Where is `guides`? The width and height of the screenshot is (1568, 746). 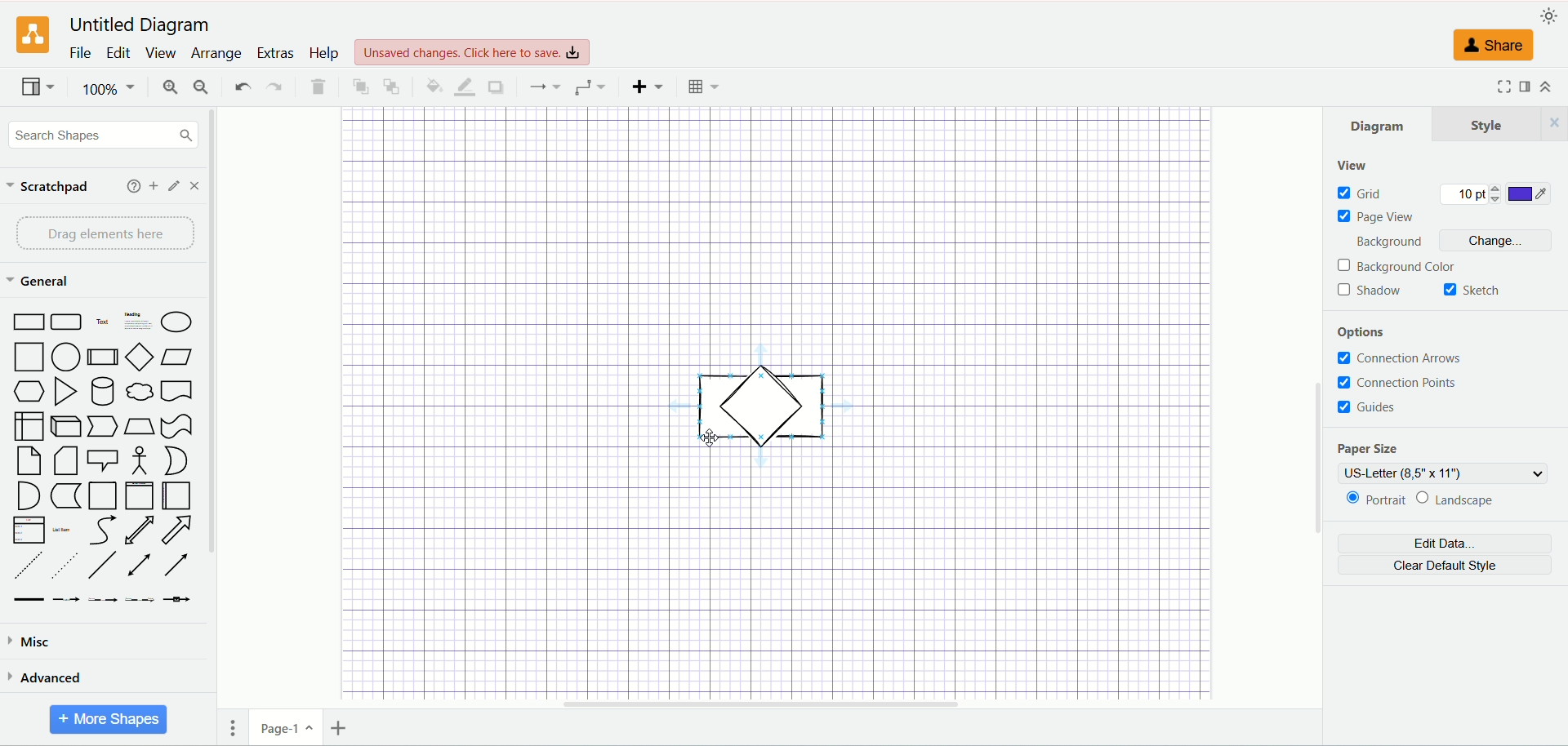
guides is located at coordinates (1371, 410).